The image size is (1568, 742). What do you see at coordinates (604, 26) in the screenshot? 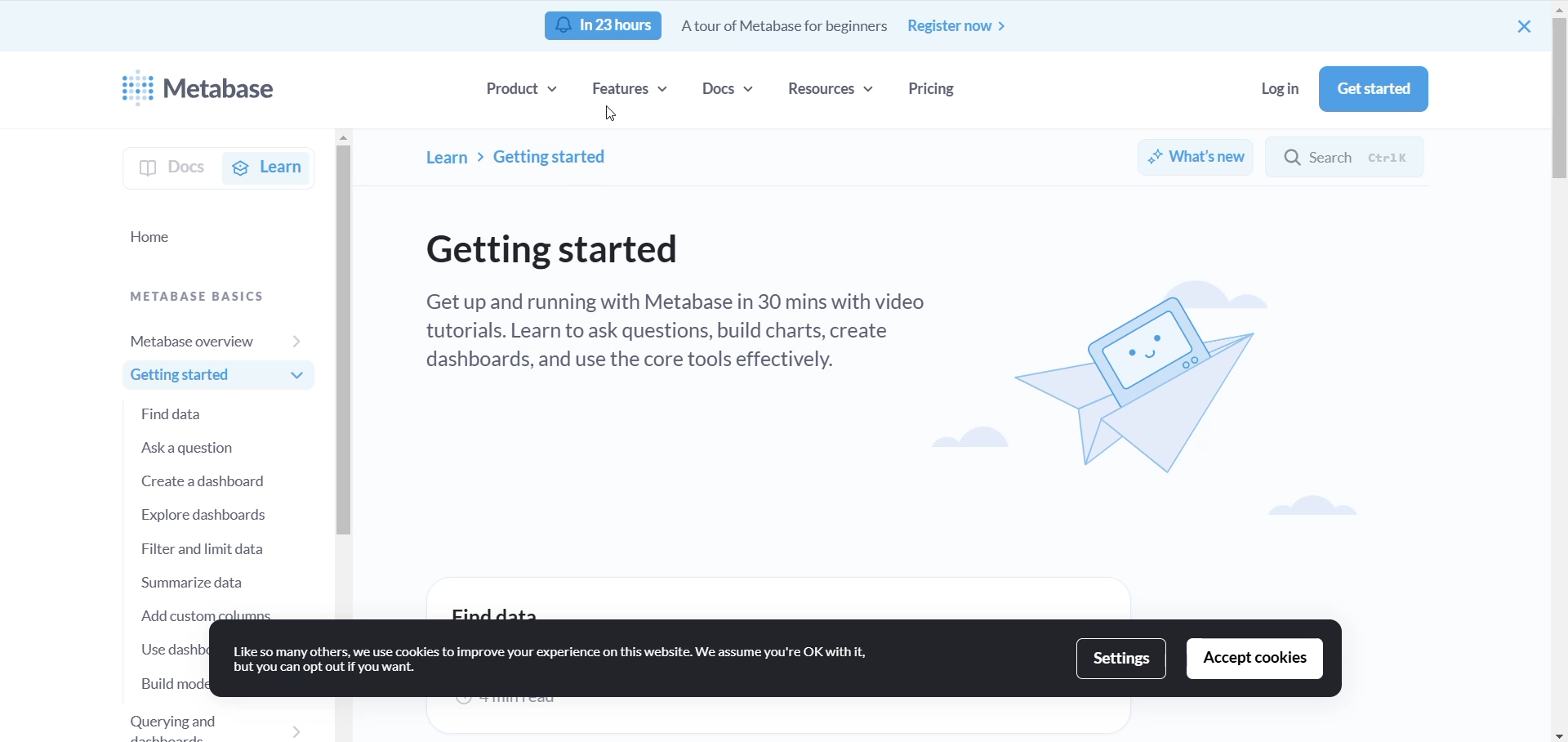
I see `notification` at bounding box center [604, 26].